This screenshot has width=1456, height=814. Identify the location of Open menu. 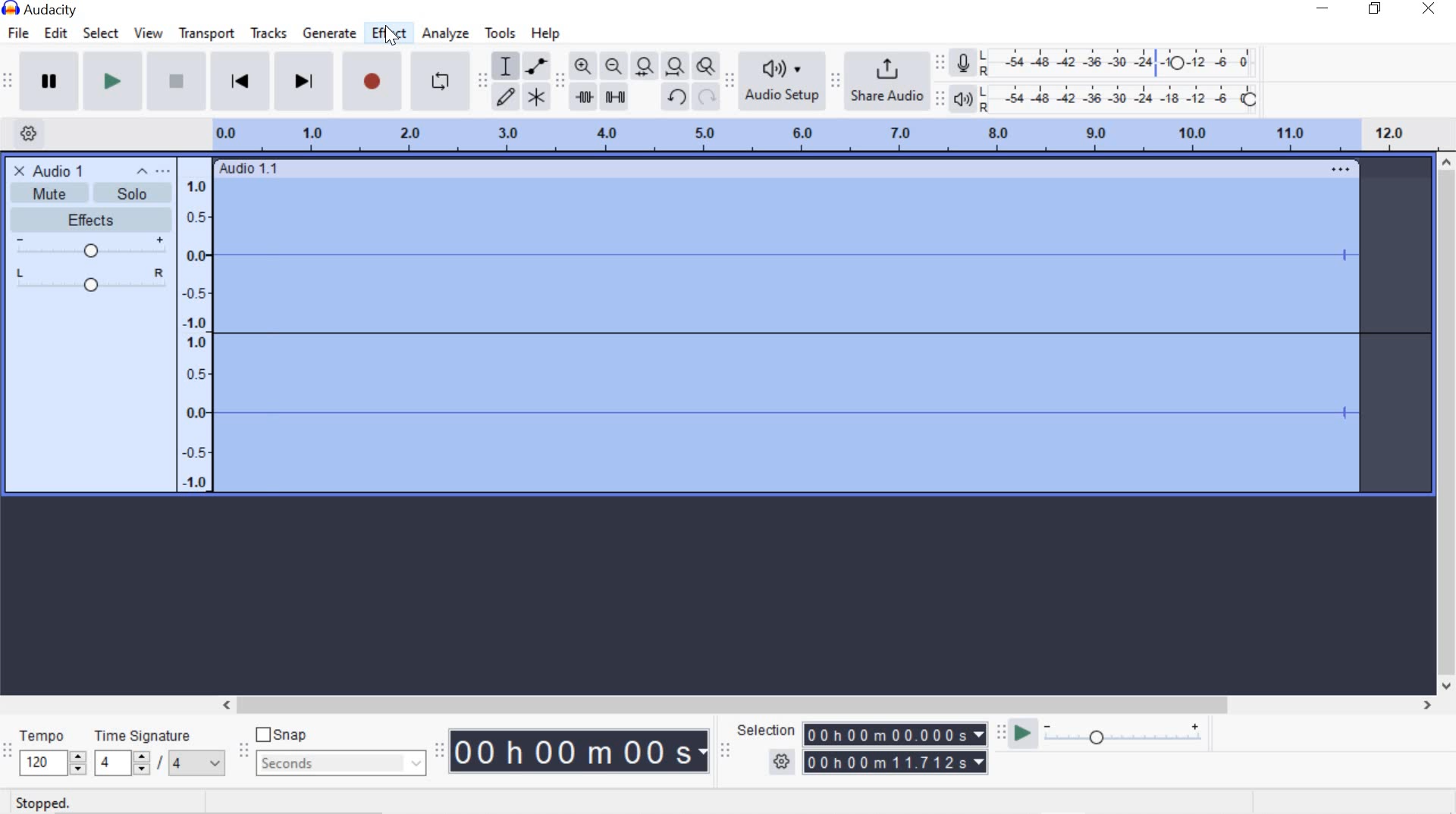
(165, 171).